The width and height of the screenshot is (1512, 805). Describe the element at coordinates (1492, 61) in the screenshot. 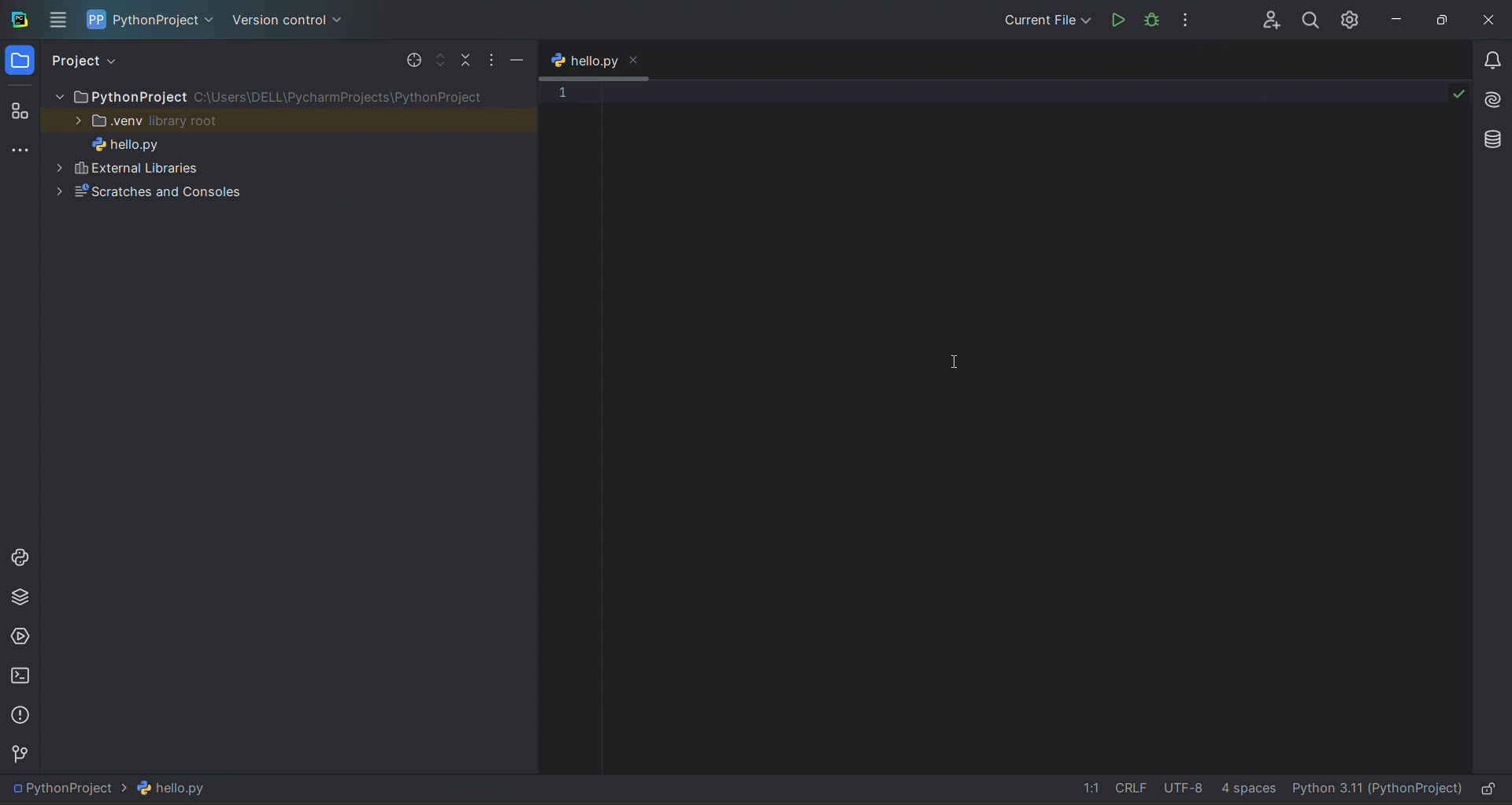

I see `notifications` at that location.